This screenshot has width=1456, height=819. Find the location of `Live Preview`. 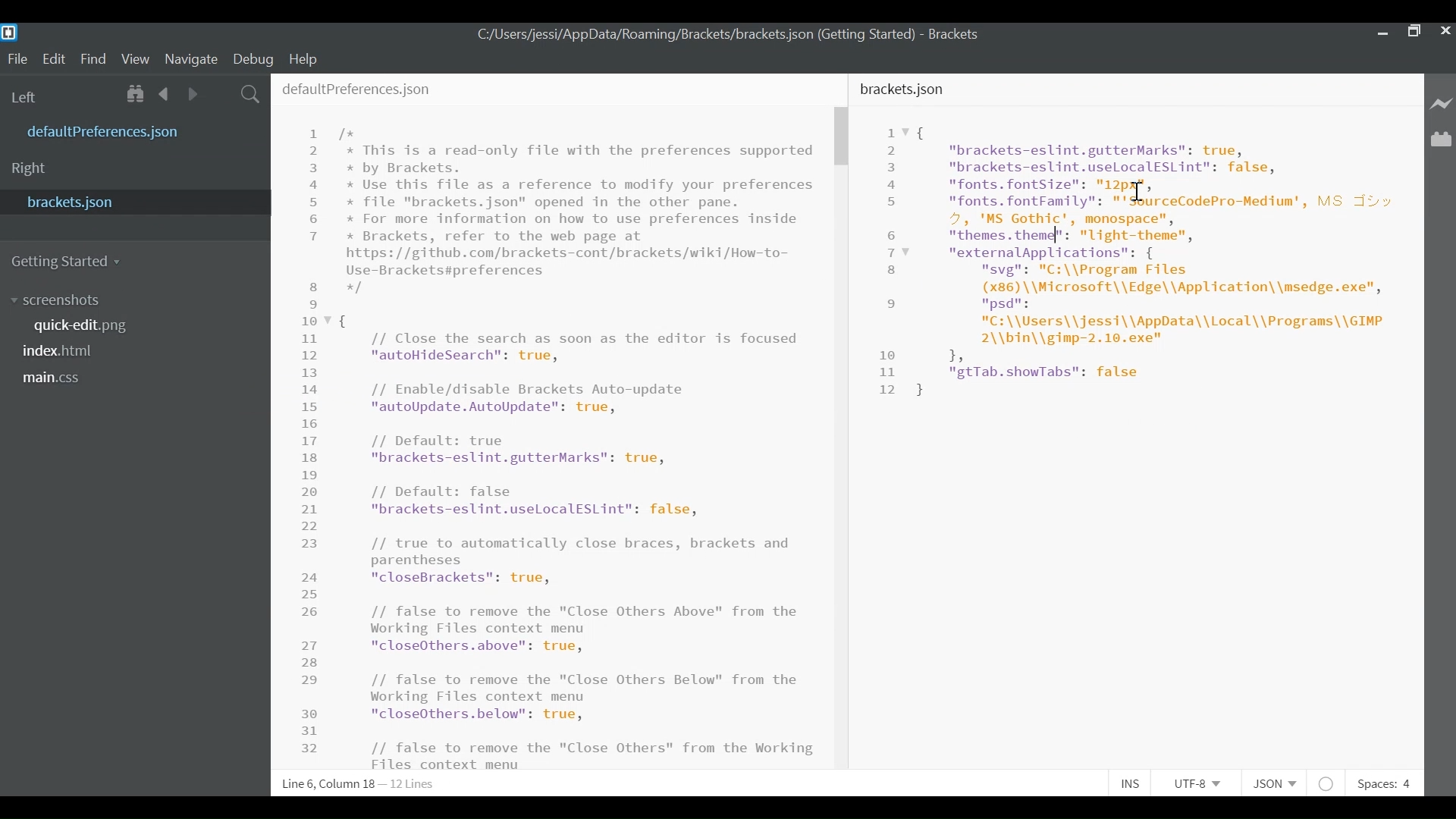

Live Preview is located at coordinates (1442, 103).